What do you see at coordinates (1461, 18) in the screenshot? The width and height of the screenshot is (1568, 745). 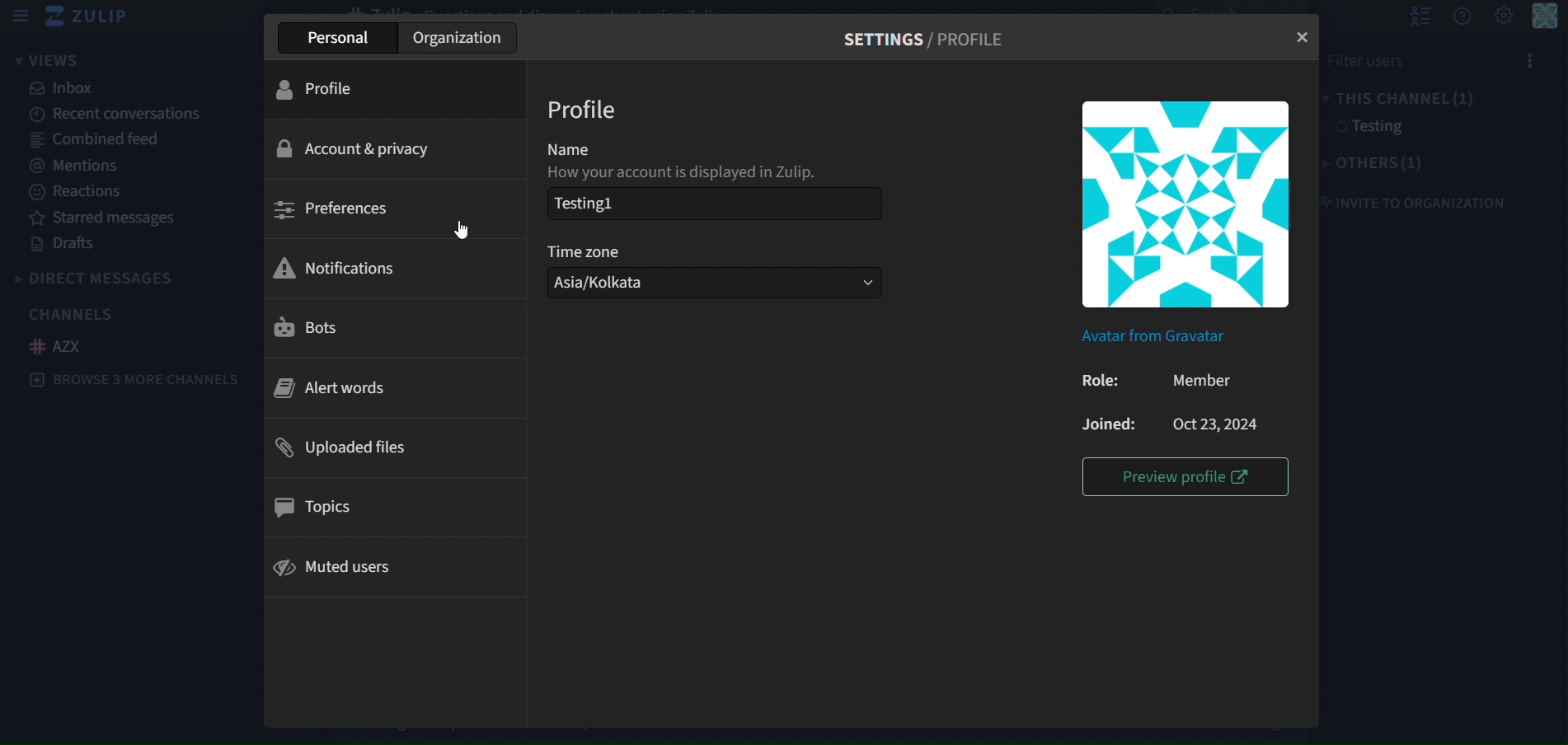 I see `get help` at bounding box center [1461, 18].